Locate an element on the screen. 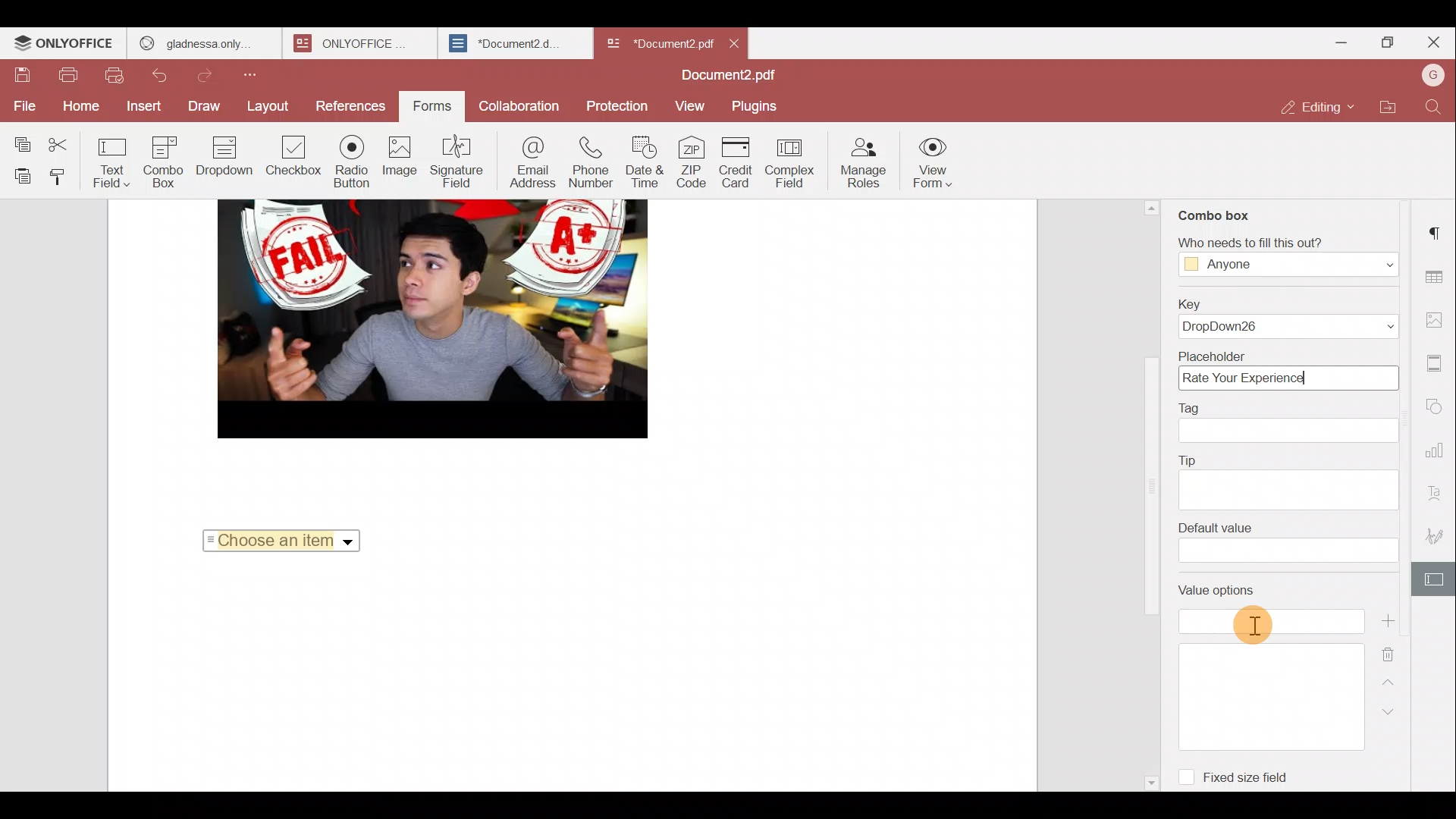  Print file is located at coordinates (68, 77).